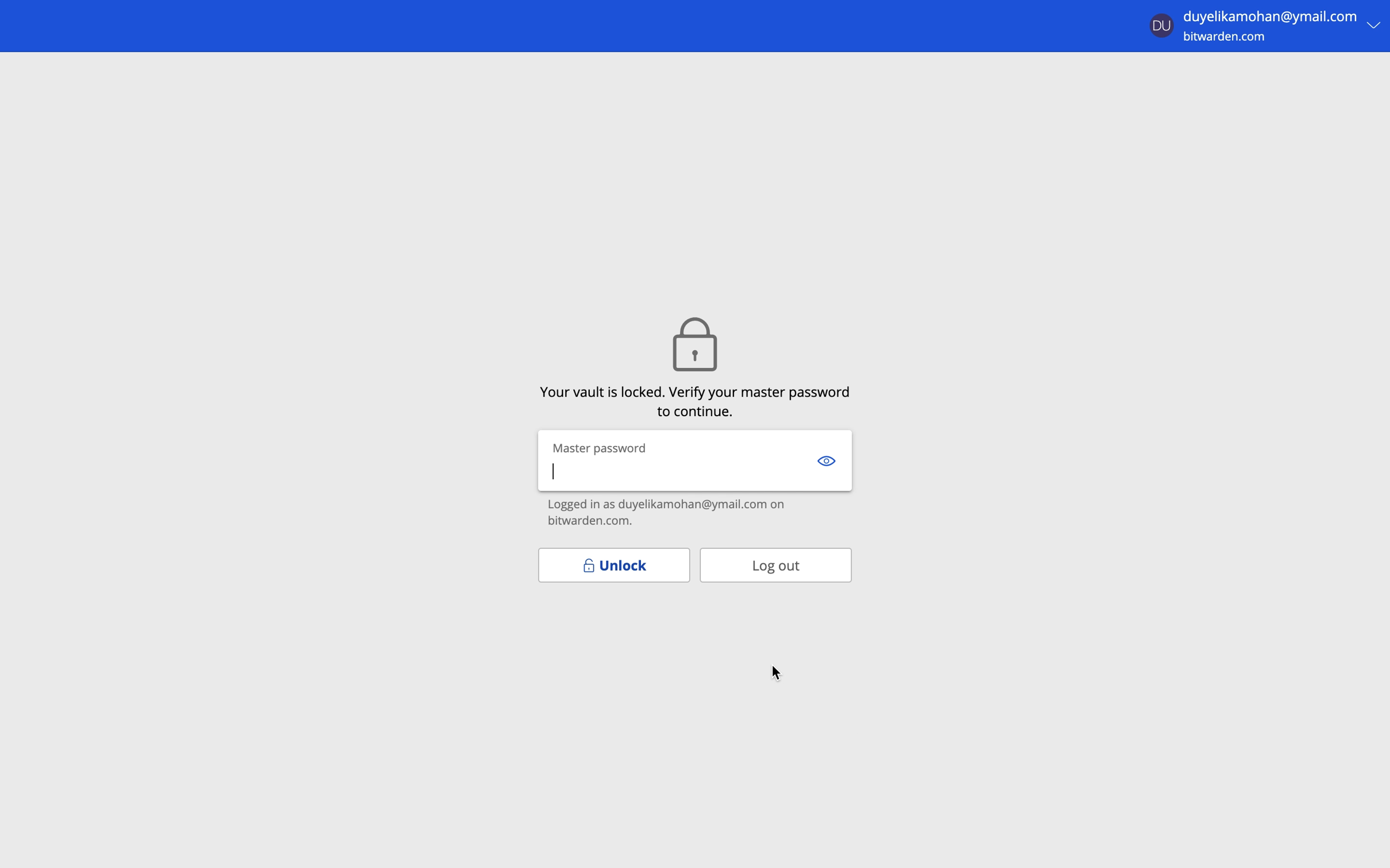 The width and height of the screenshot is (1390, 868). I want to click on account menu, so click(1265, 24).